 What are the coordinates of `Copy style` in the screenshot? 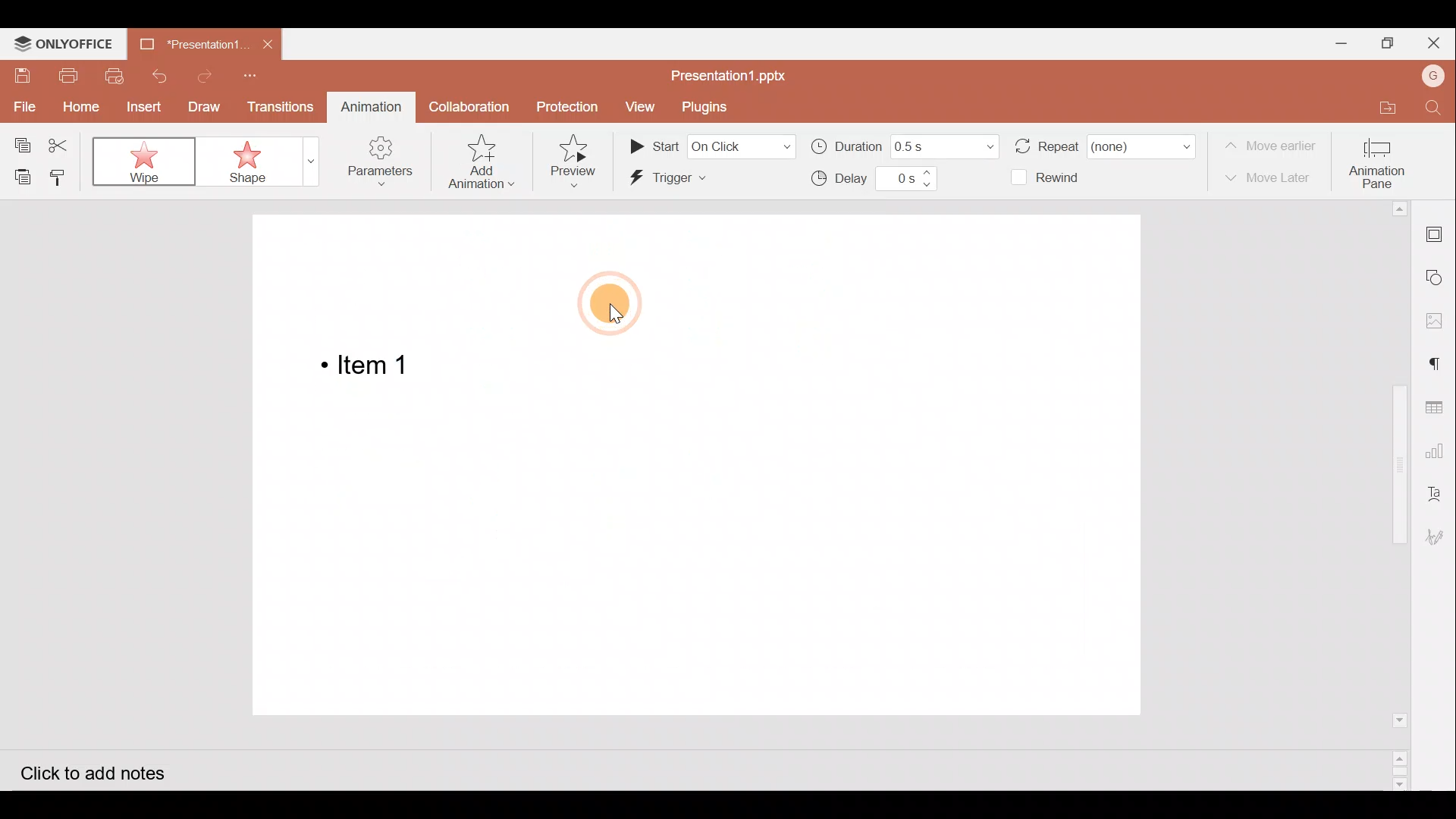 It's located at (62, 175).